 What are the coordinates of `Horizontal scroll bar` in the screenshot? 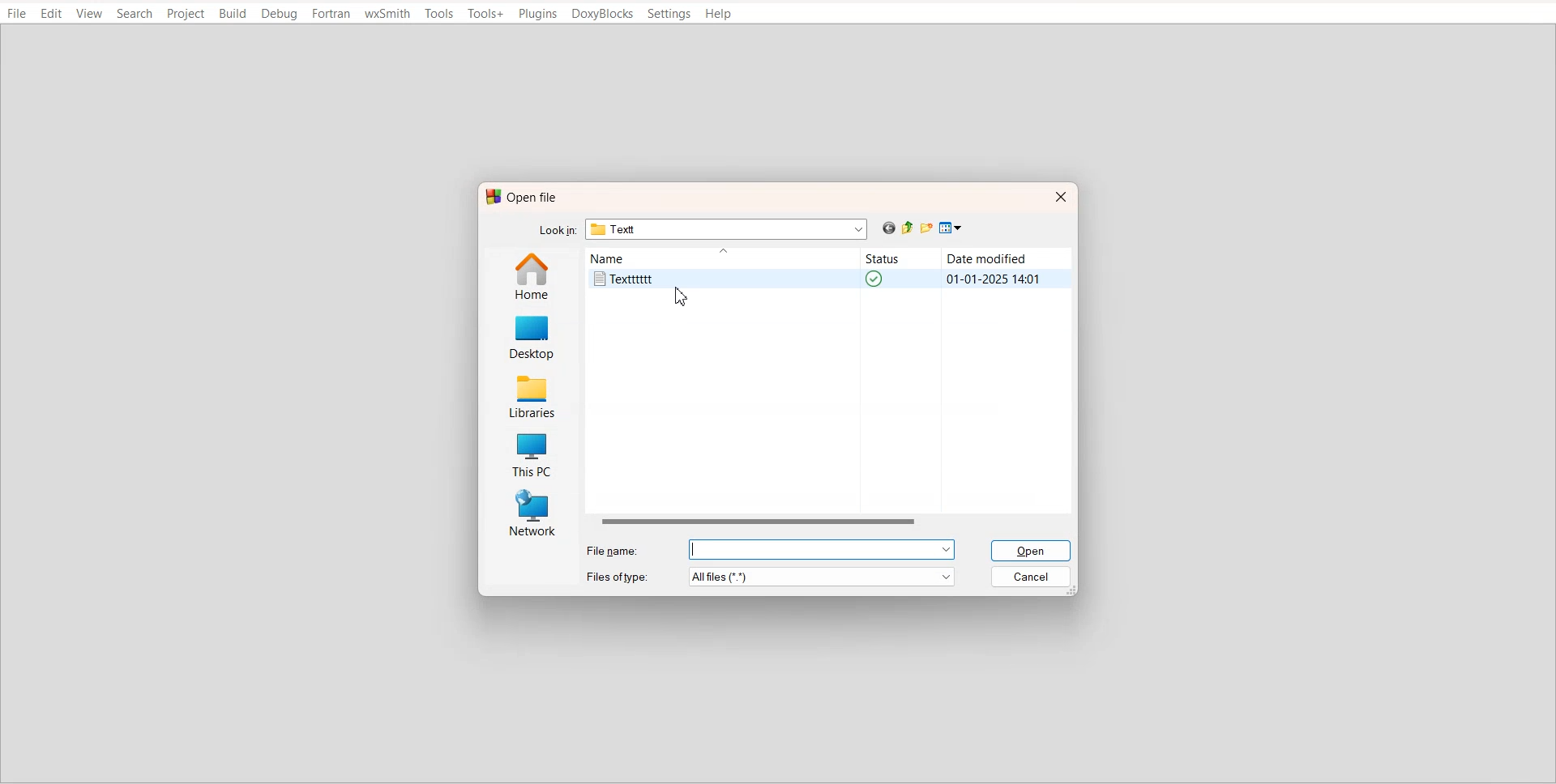 It's located at (828, 522).